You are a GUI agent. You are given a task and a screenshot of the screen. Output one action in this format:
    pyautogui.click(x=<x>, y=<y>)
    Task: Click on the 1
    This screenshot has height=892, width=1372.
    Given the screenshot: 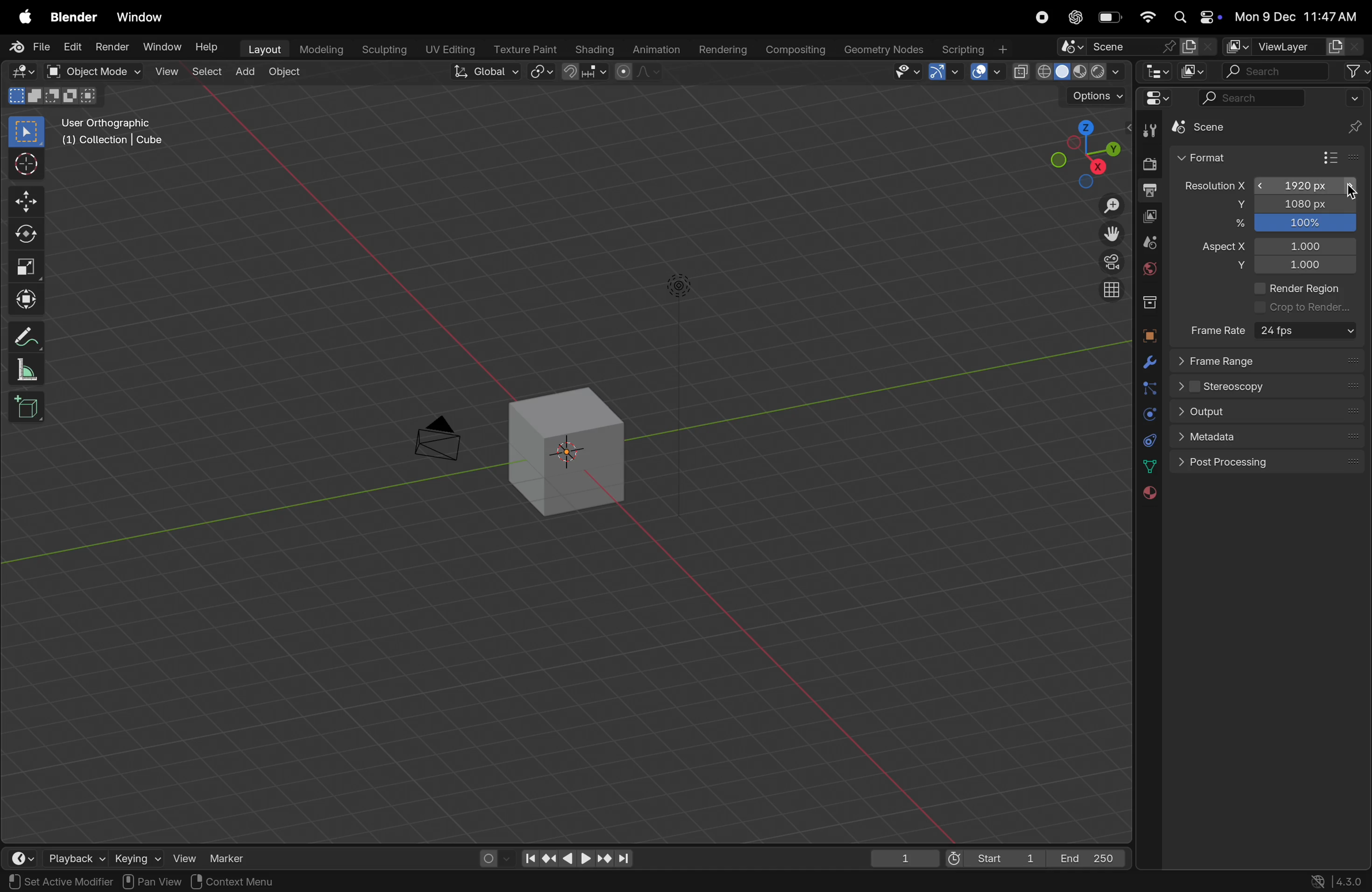 What is the action you would take?
    pyautogui.click(x=1308, y=266)
    